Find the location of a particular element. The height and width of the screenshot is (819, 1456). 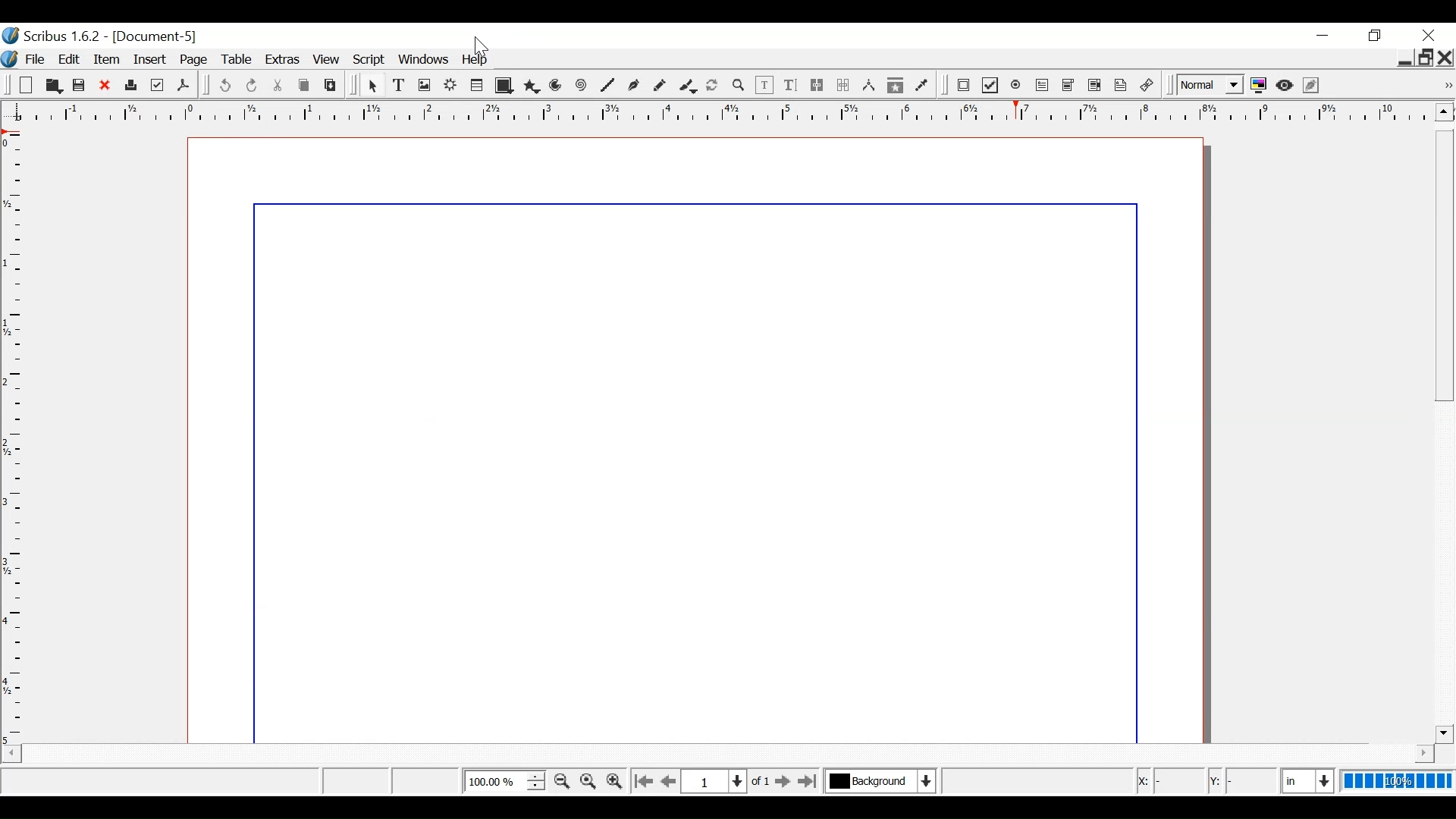

Vertical Scroll bar is located at coordinates (1444, 436).